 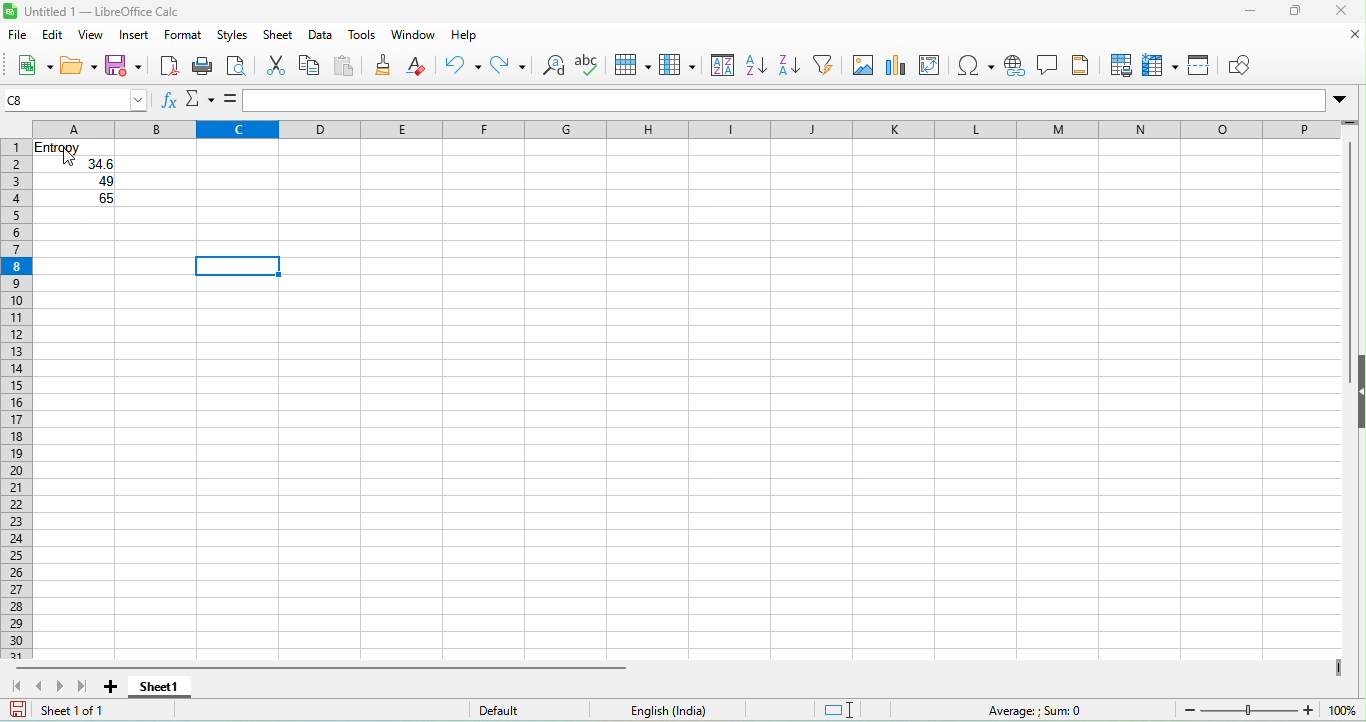 I want to click on sort ascending , so click(x=758, y=68).